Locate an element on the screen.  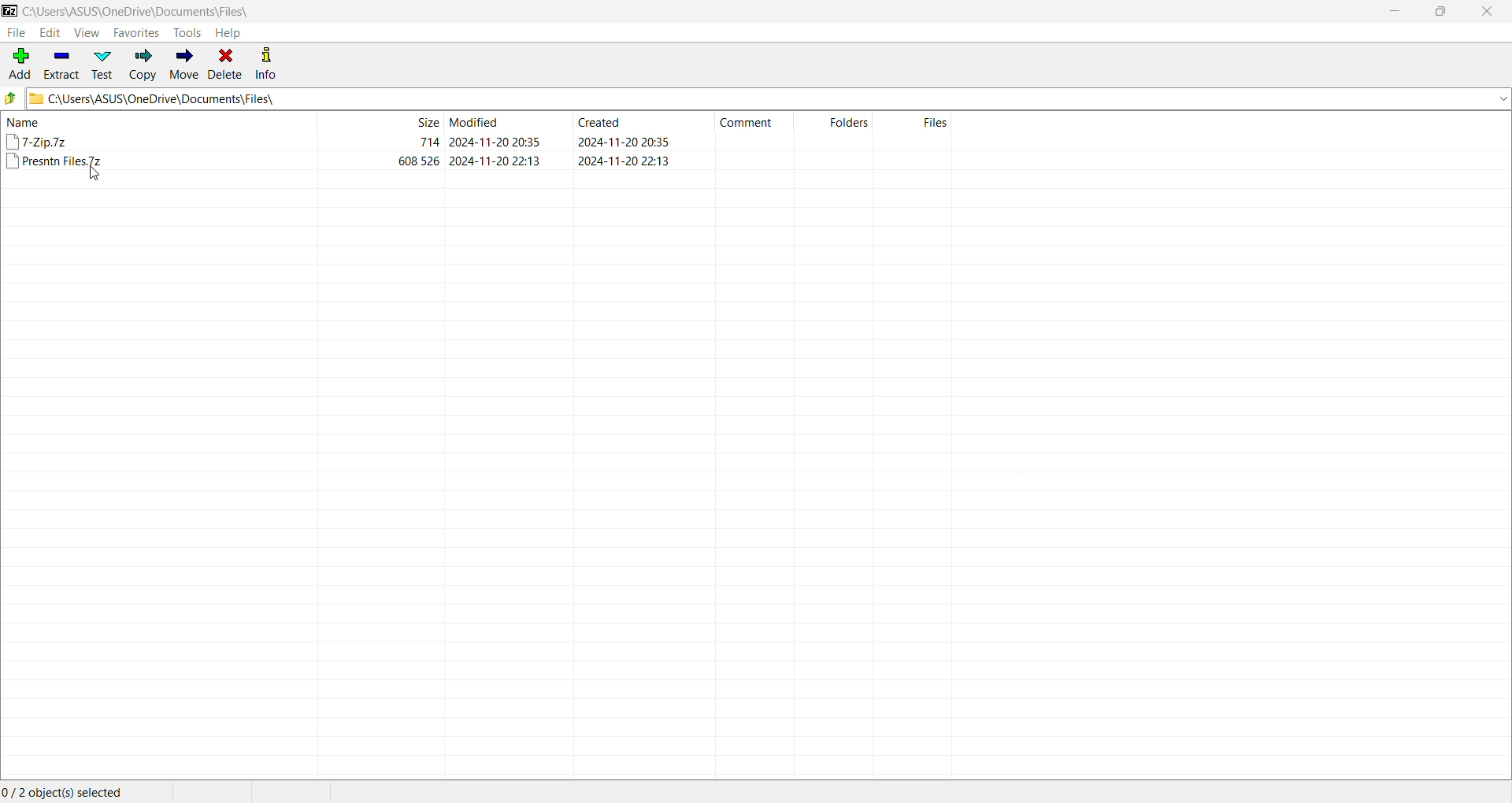
Favorites is located at coordinates (137, 32).